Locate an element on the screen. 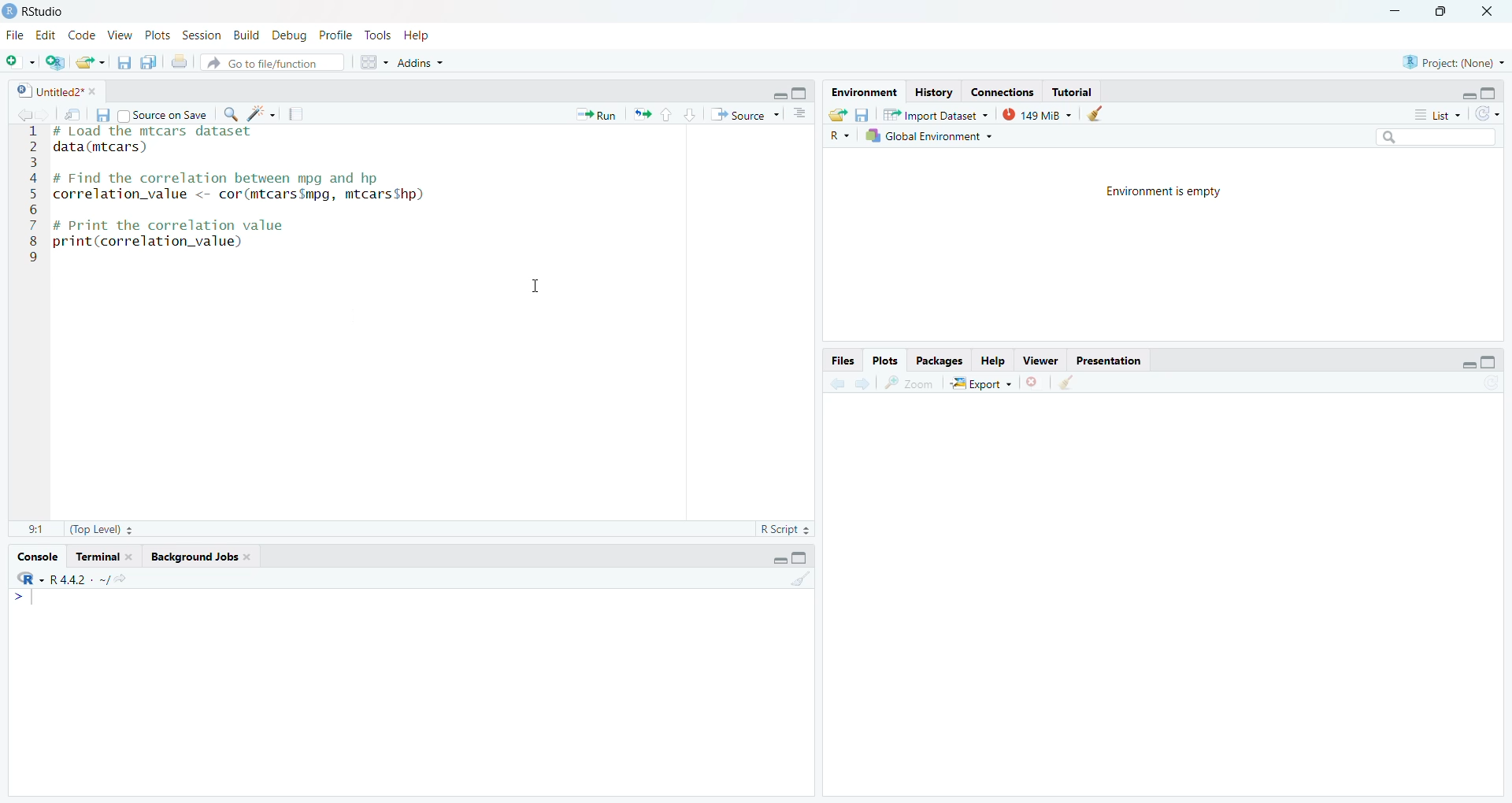  Plots is located at coordinates (157, 35).